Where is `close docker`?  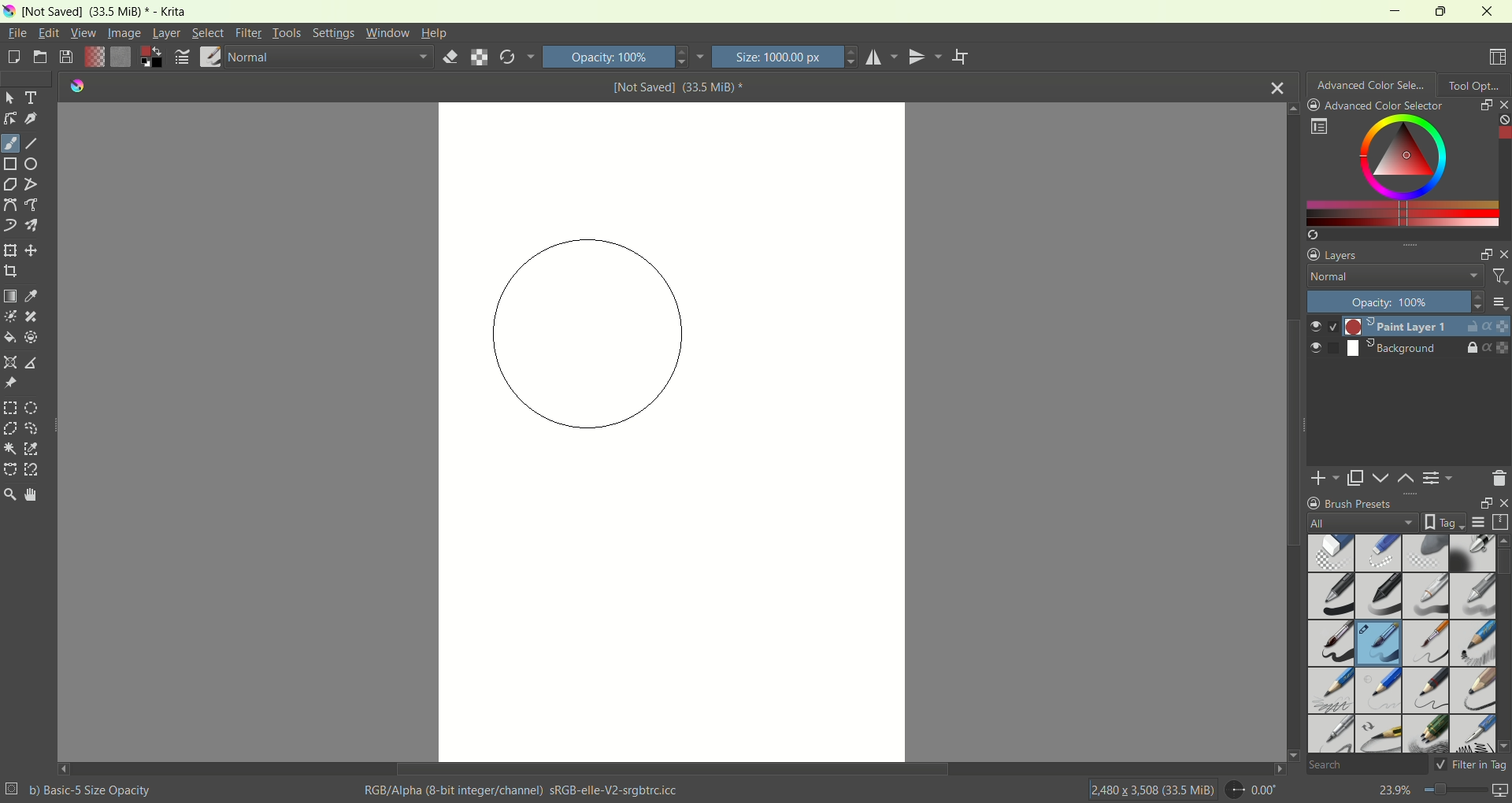 close docker is located at coordinates (1503, 253).